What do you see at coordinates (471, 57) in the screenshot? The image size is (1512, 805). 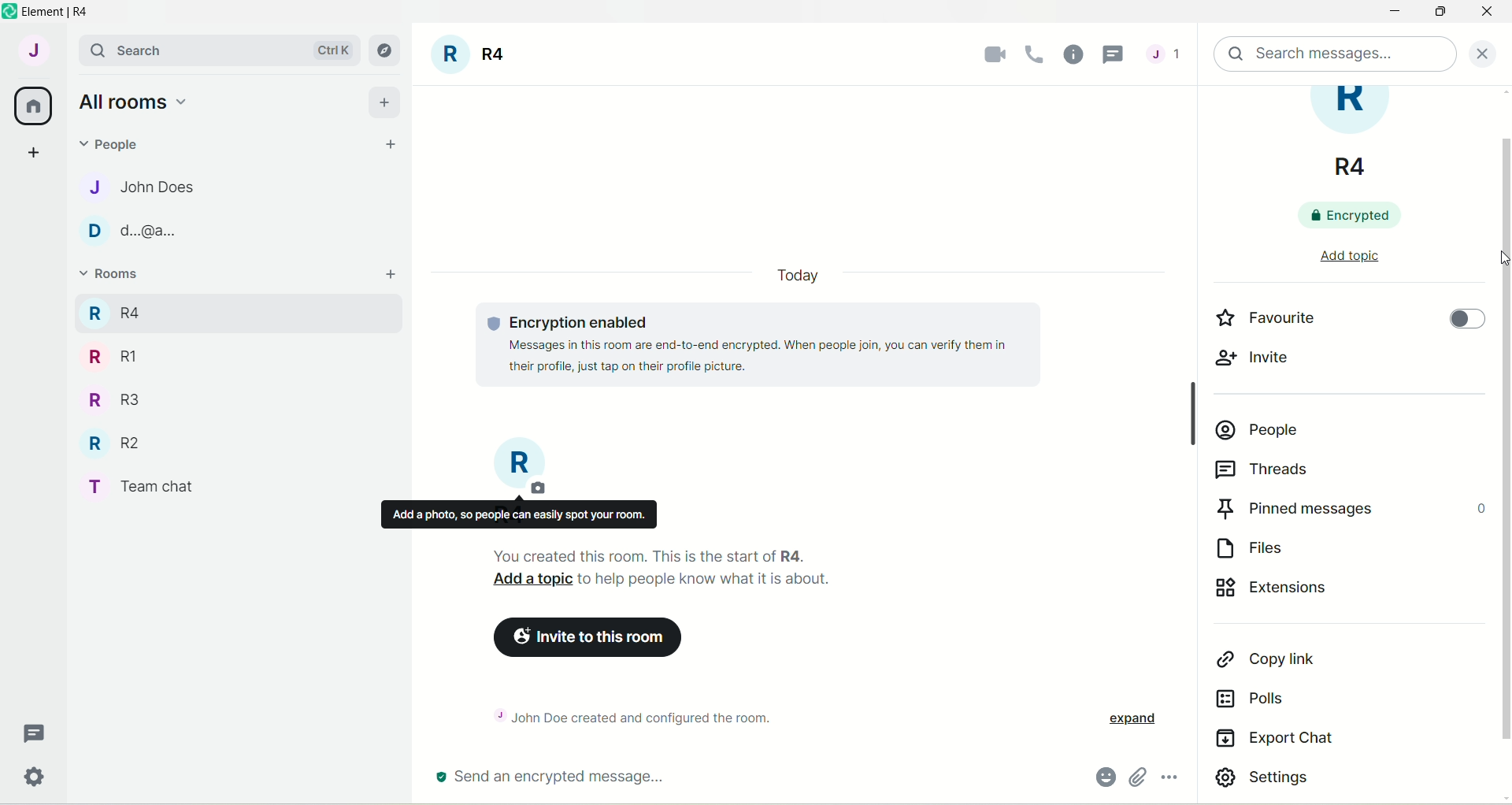 I see `room title` at bounding box center [471, 57].